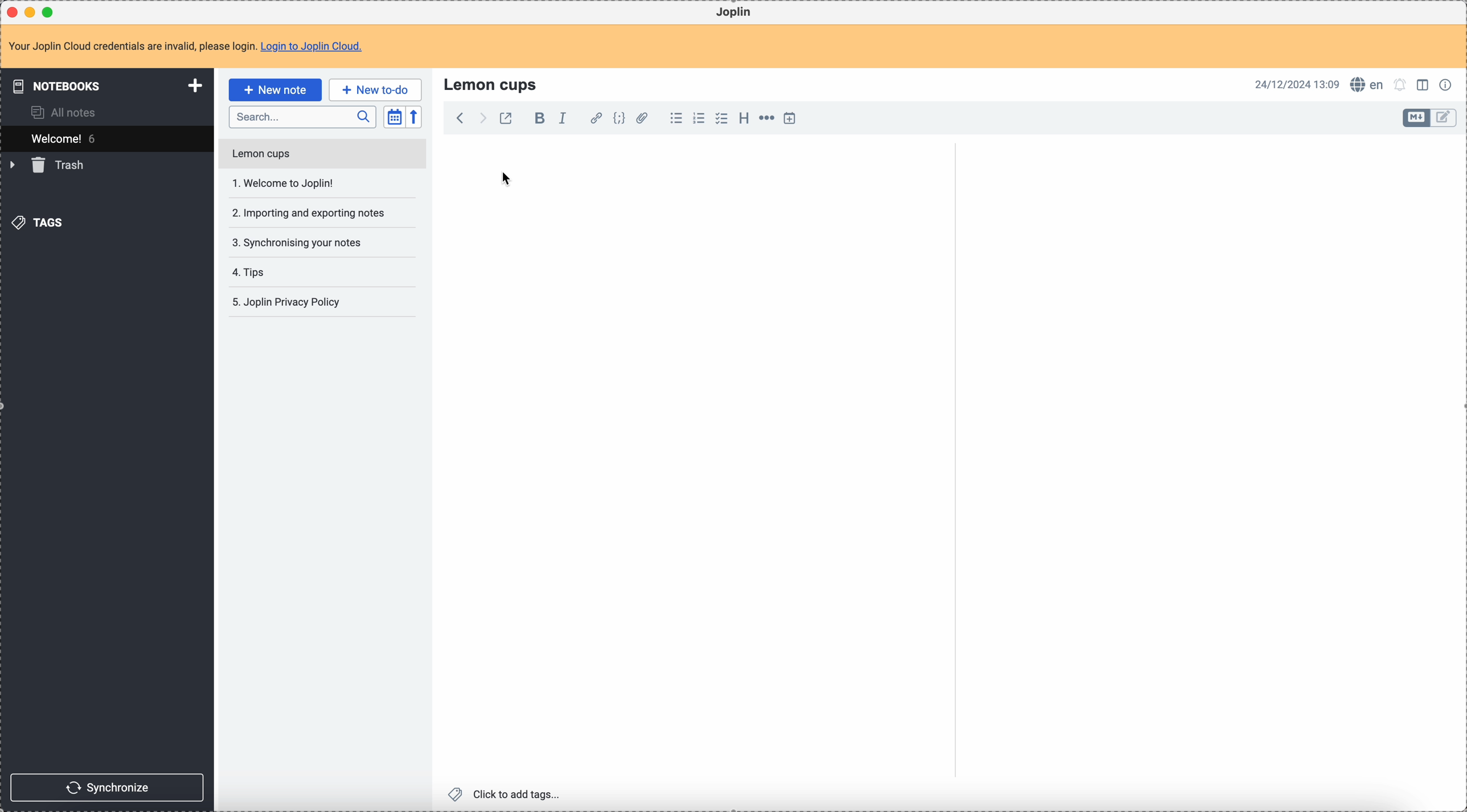 Image resolution: width=1467 pixels, height=812 pixels. I want to click on lemon cups, so click(493, 84).